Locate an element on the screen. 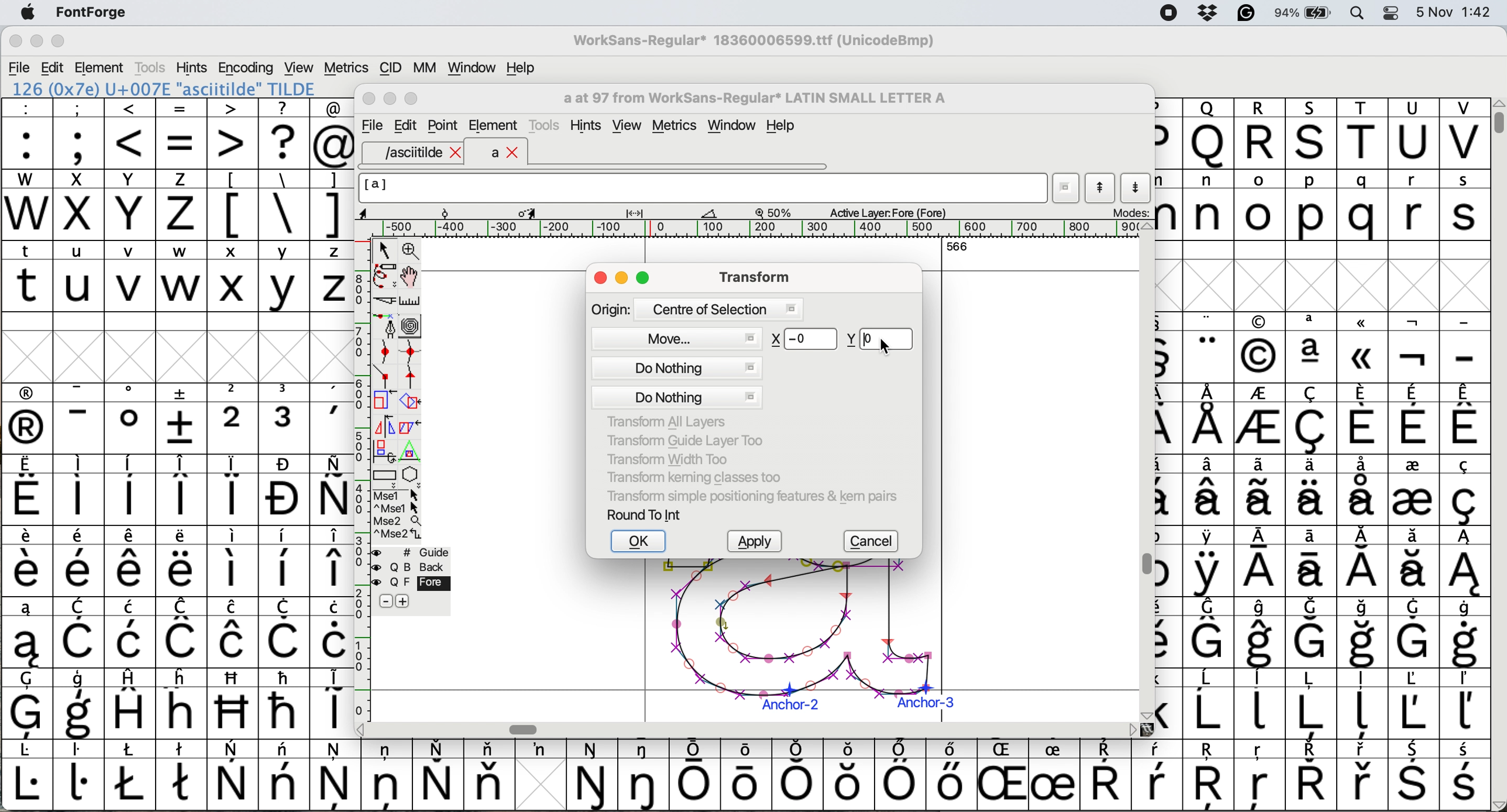  symbol is located at coordinates (1412, 489).